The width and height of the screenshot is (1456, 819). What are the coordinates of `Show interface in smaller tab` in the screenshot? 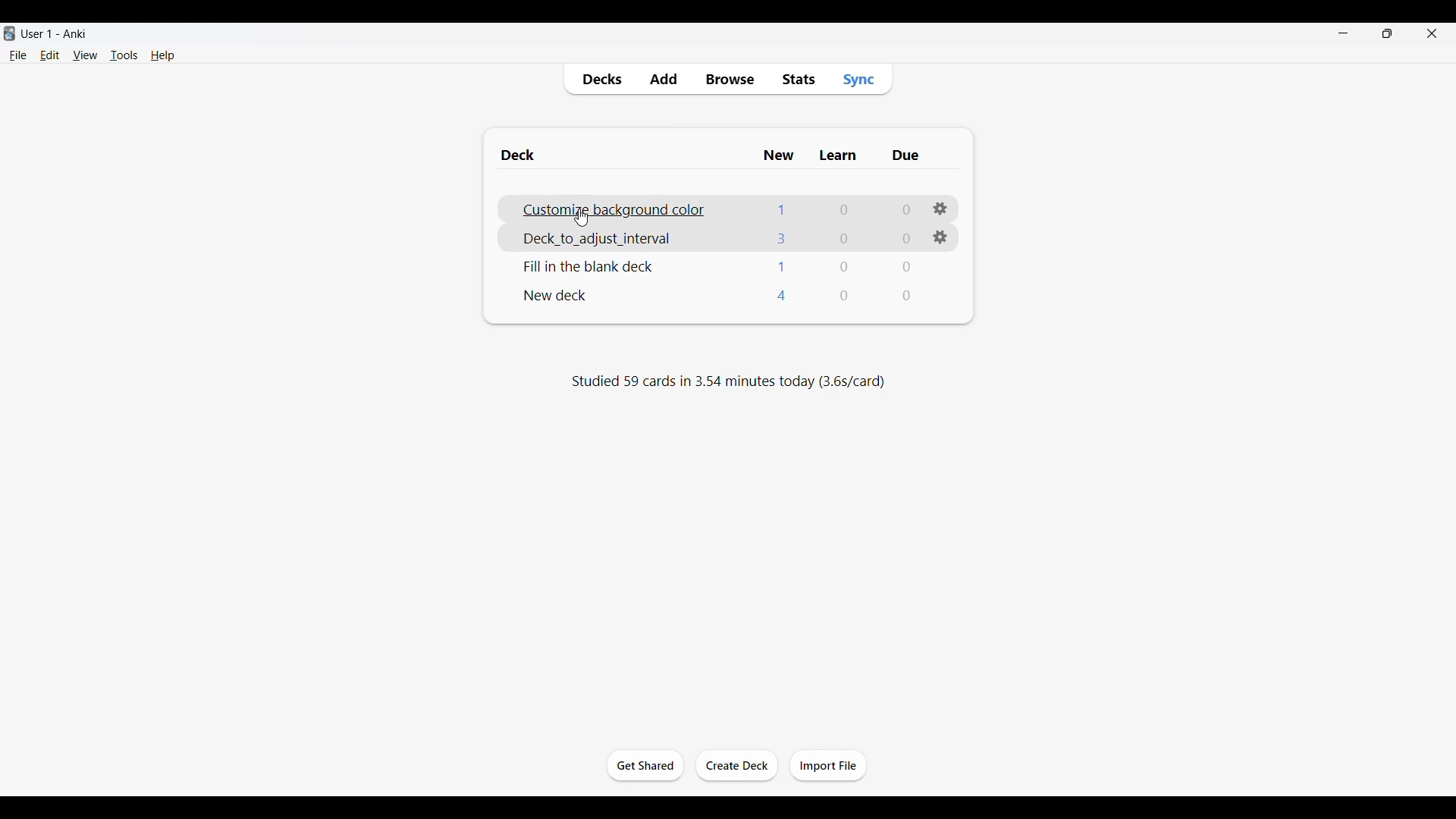 It's located at (1388, 33).